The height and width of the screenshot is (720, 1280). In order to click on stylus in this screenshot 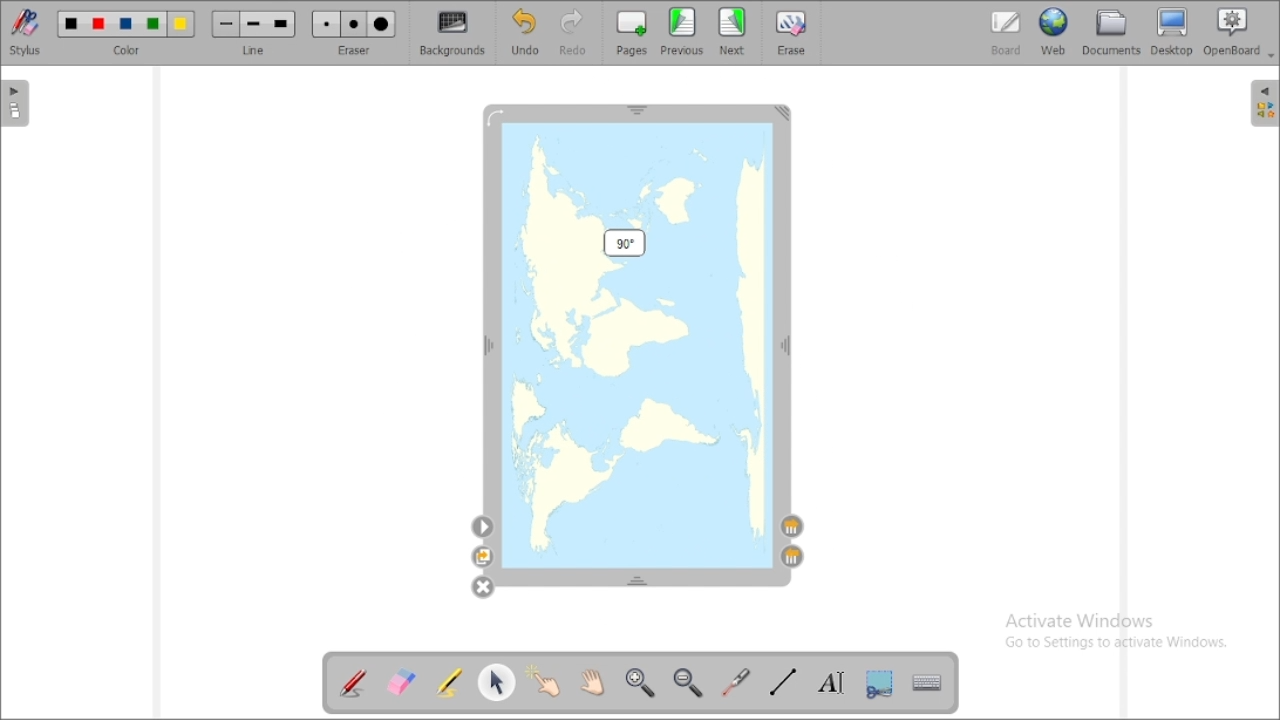, I will do `click(25, 32)`.